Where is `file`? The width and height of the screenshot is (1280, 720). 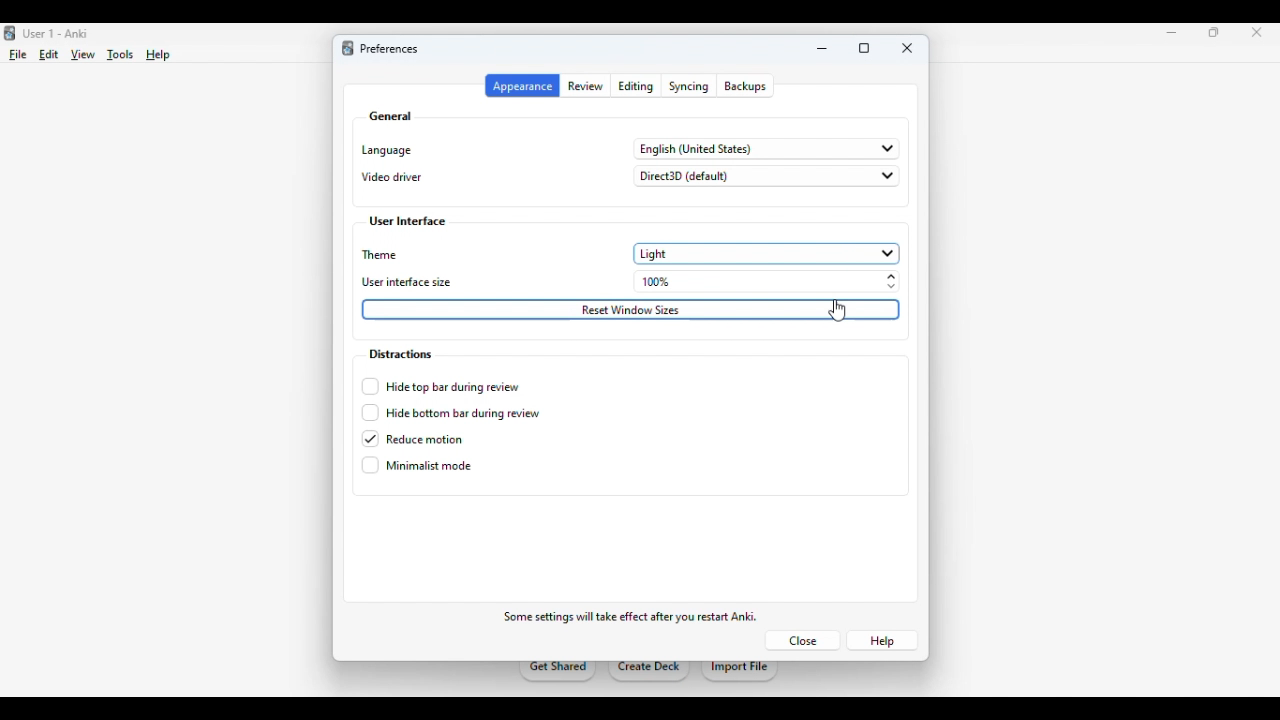 file is located at coordinates (18, 55).